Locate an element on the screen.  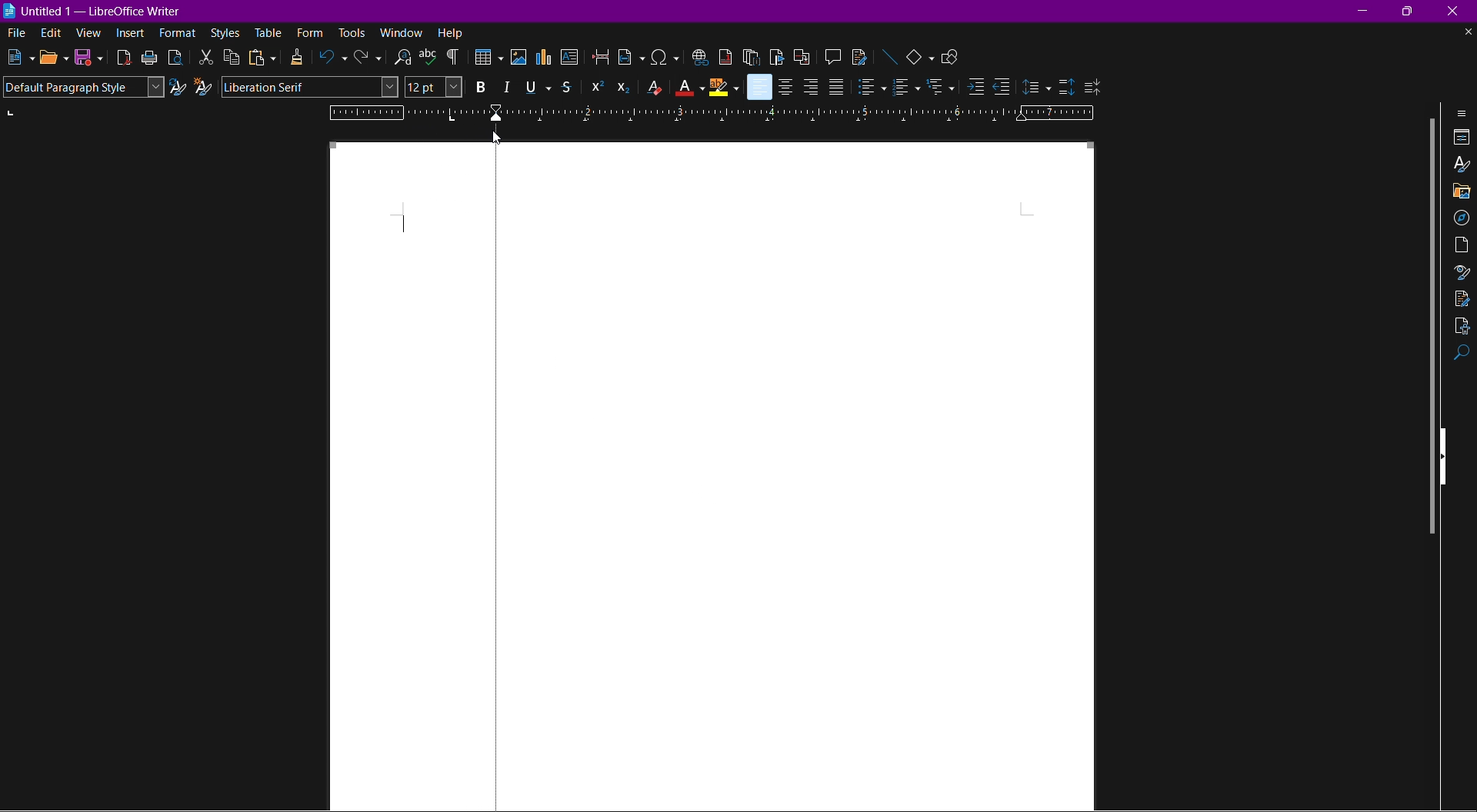
Bold is located at coordinates (478, 87).